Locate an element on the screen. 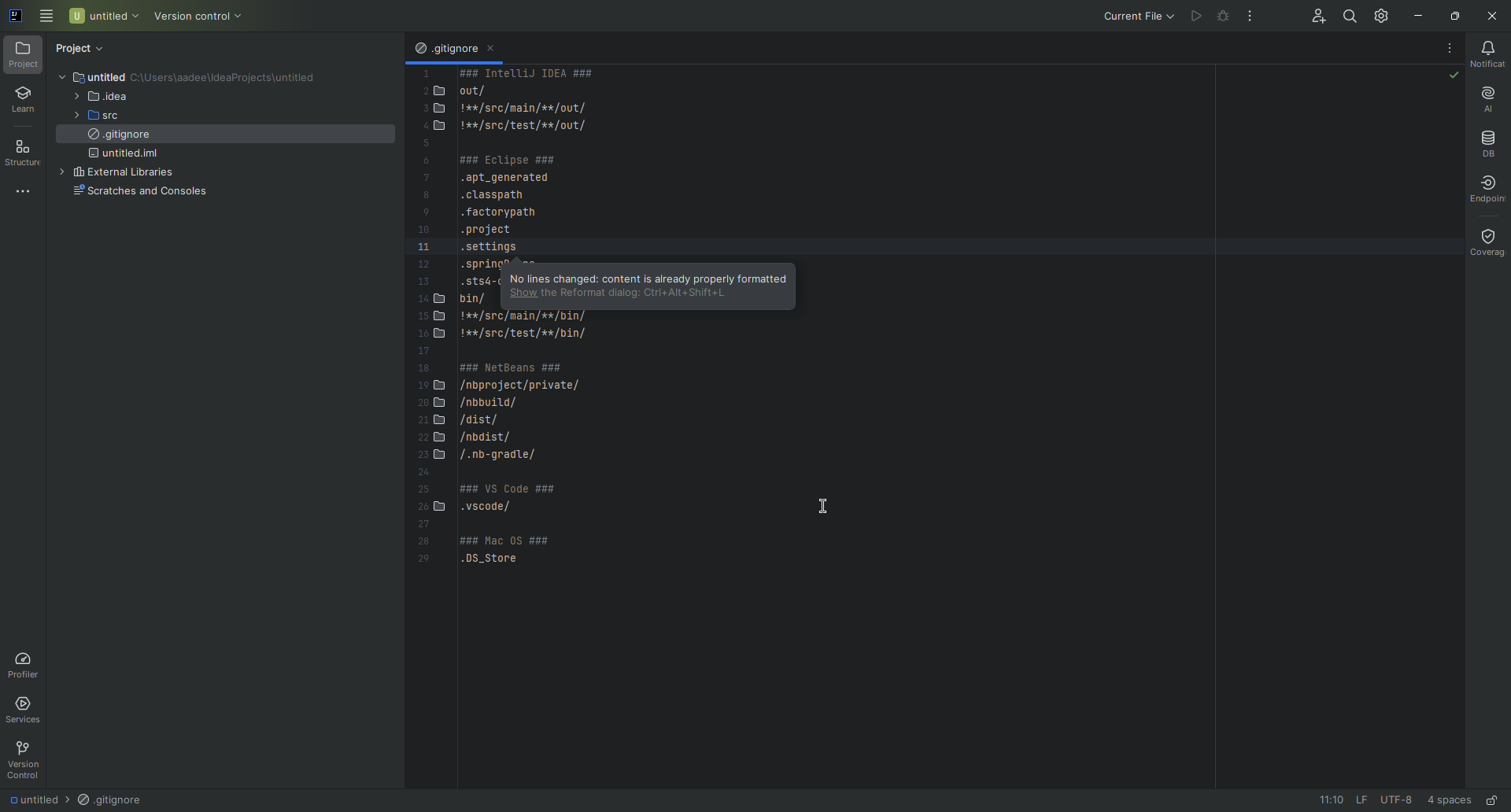  Untitled is located at coordinates (29, 799).